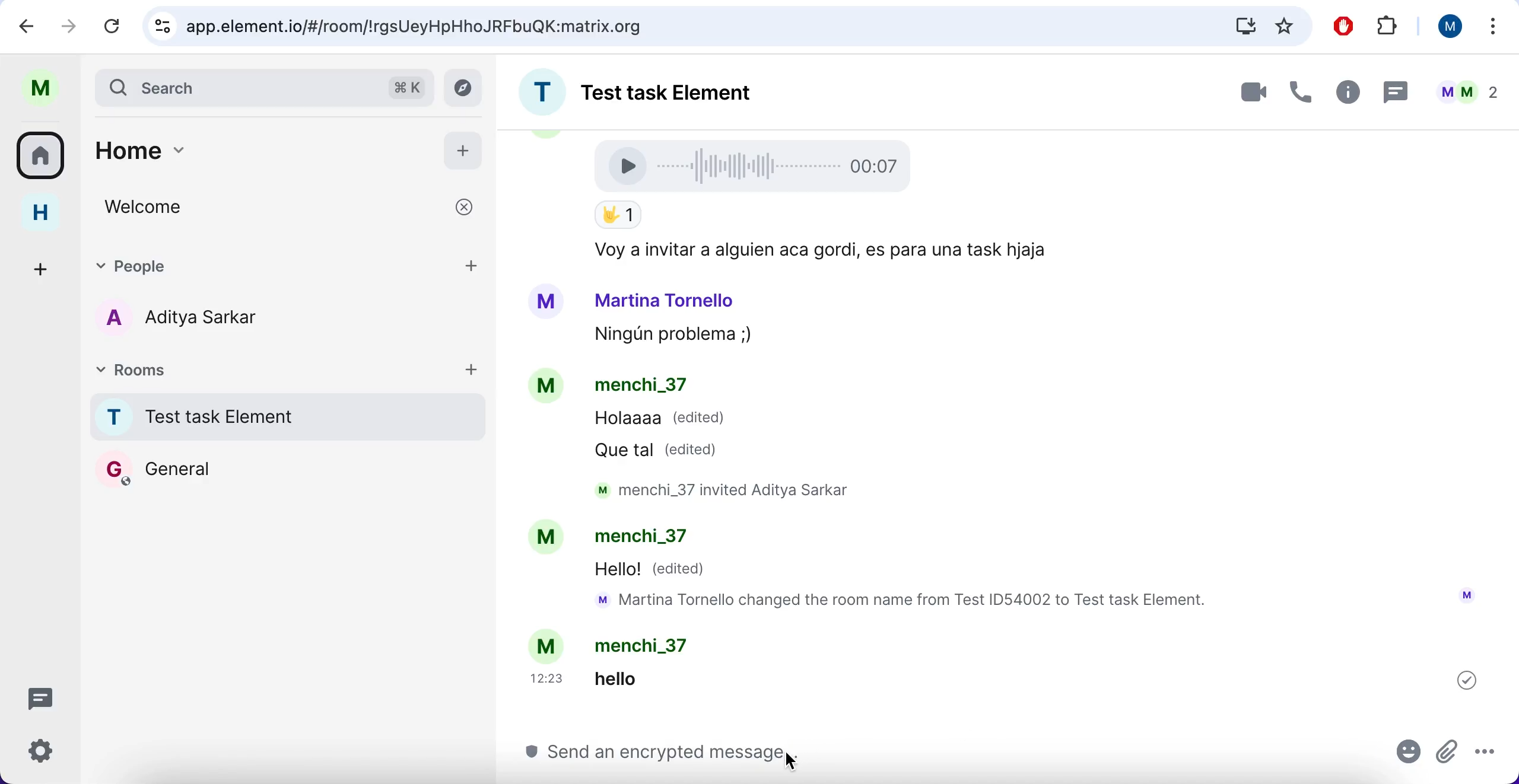 Image resolution: width=1519 pixels, height=784 pixels. I want to click on favorites, so click(1285, 26).